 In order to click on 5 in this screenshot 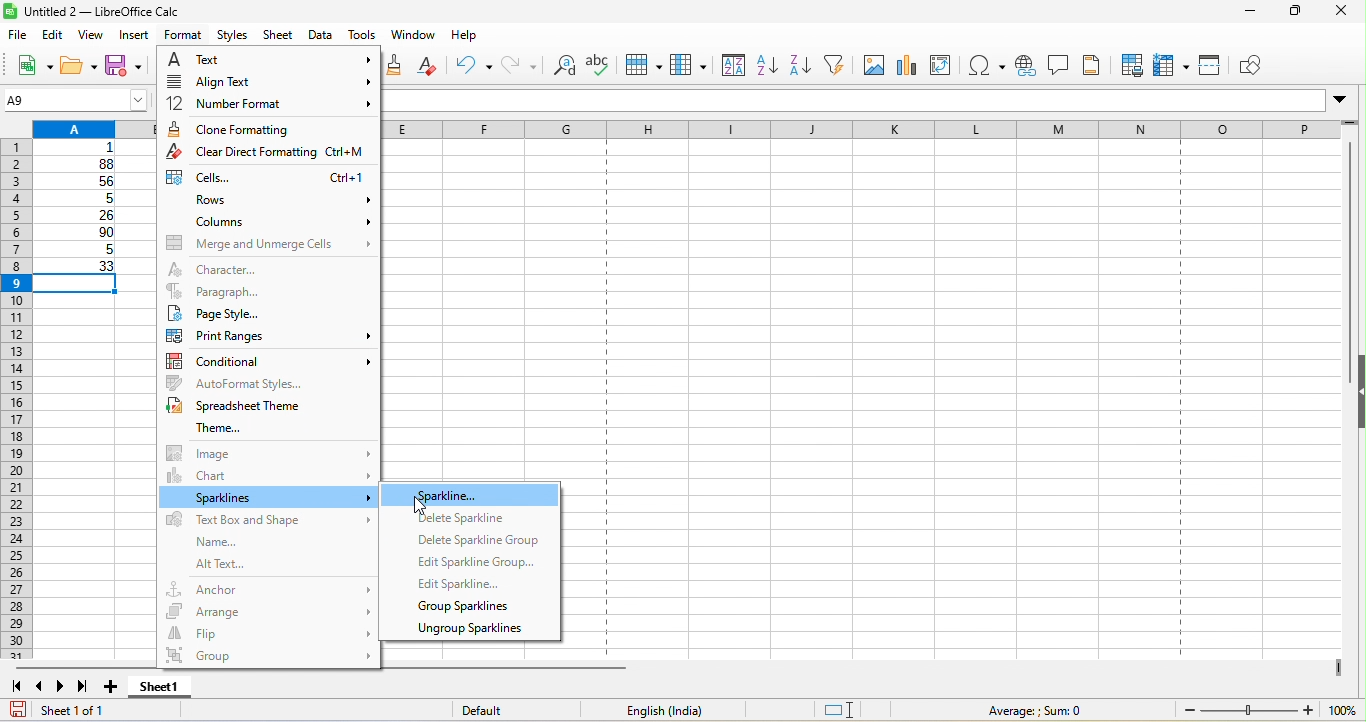, I will do `click(81, 199)`.